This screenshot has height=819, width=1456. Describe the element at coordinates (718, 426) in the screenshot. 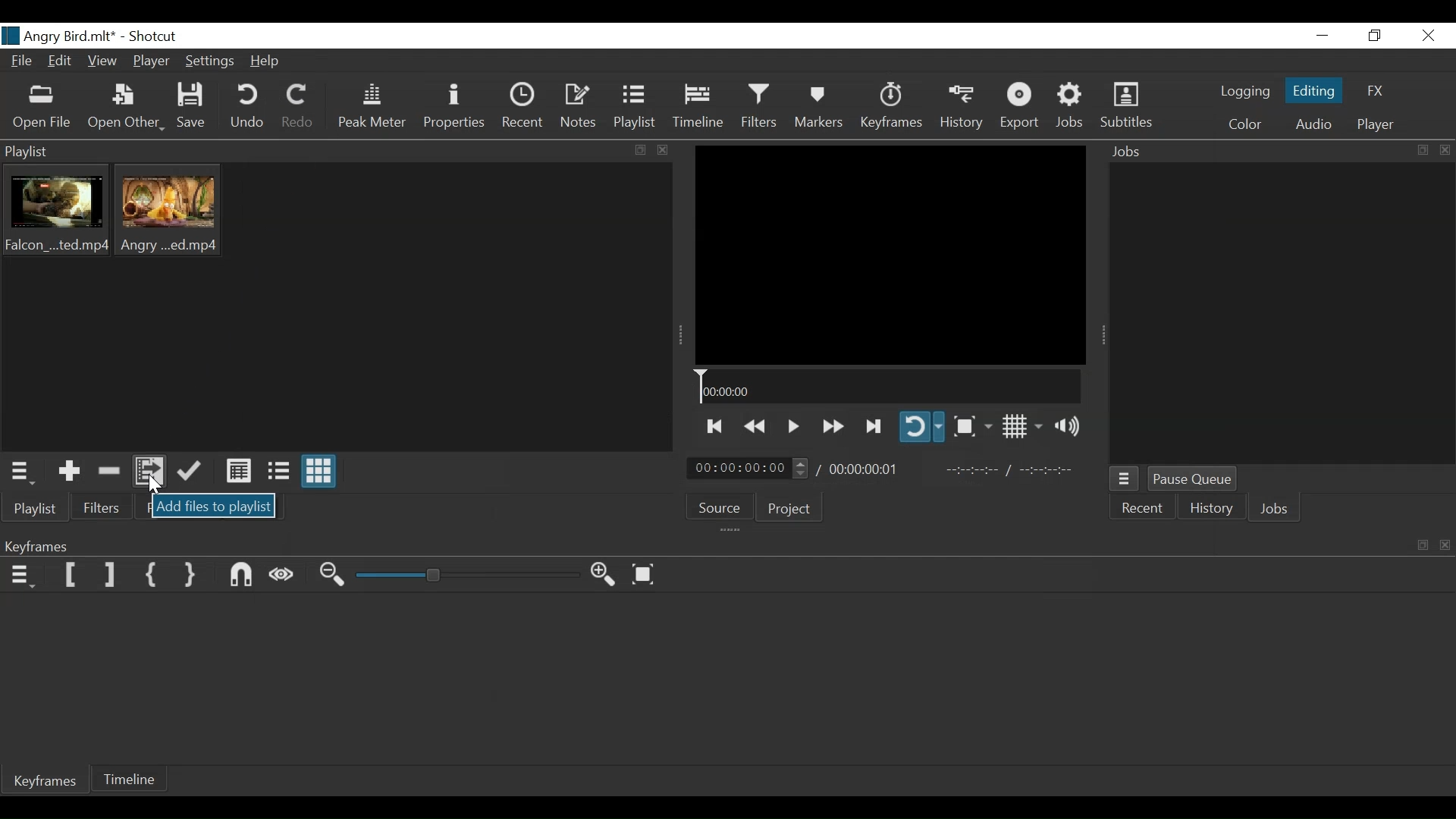

I see `Skip to the previous point` at that location.